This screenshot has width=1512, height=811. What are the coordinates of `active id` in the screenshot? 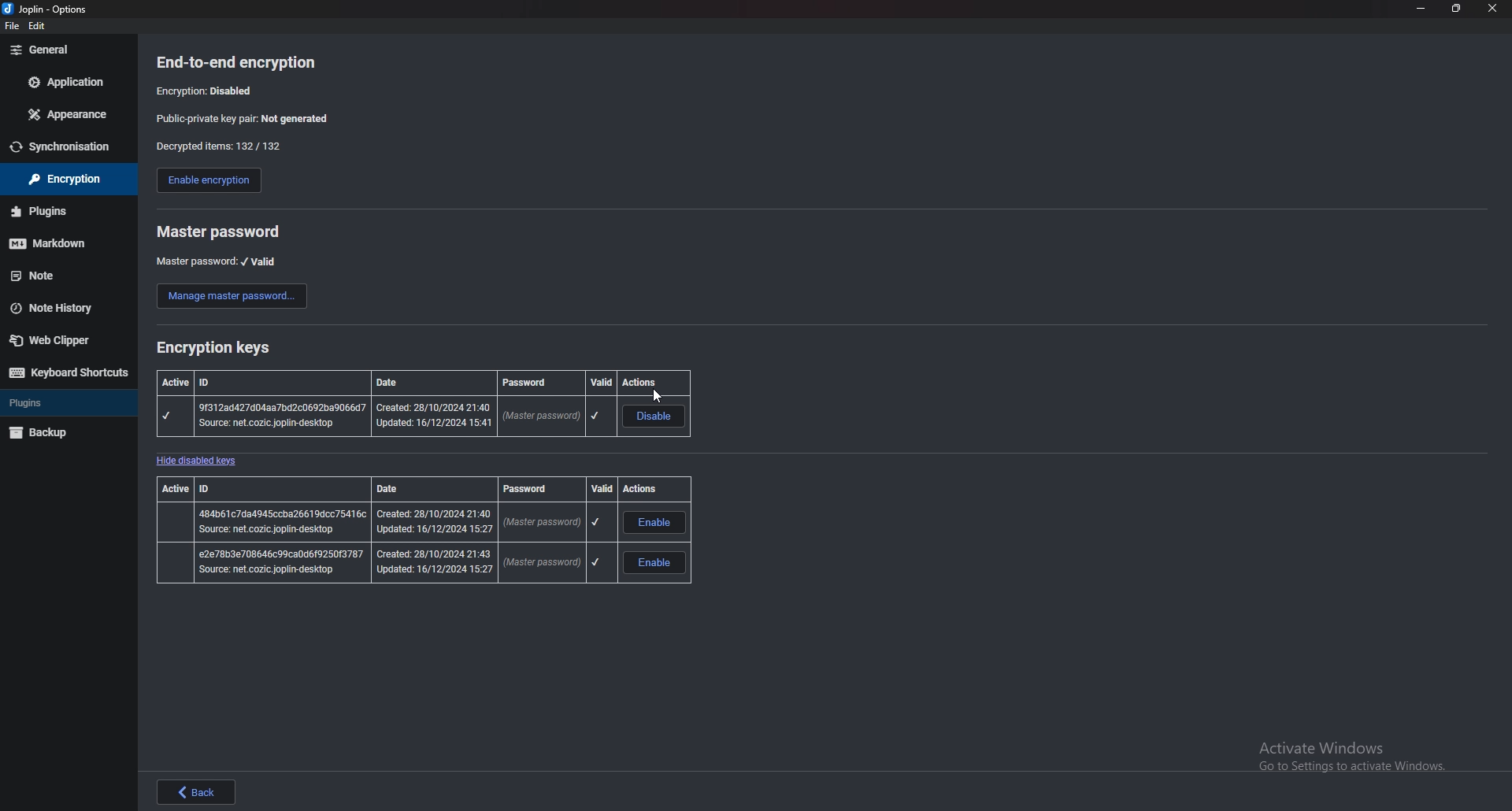 It's located at (172, 489).